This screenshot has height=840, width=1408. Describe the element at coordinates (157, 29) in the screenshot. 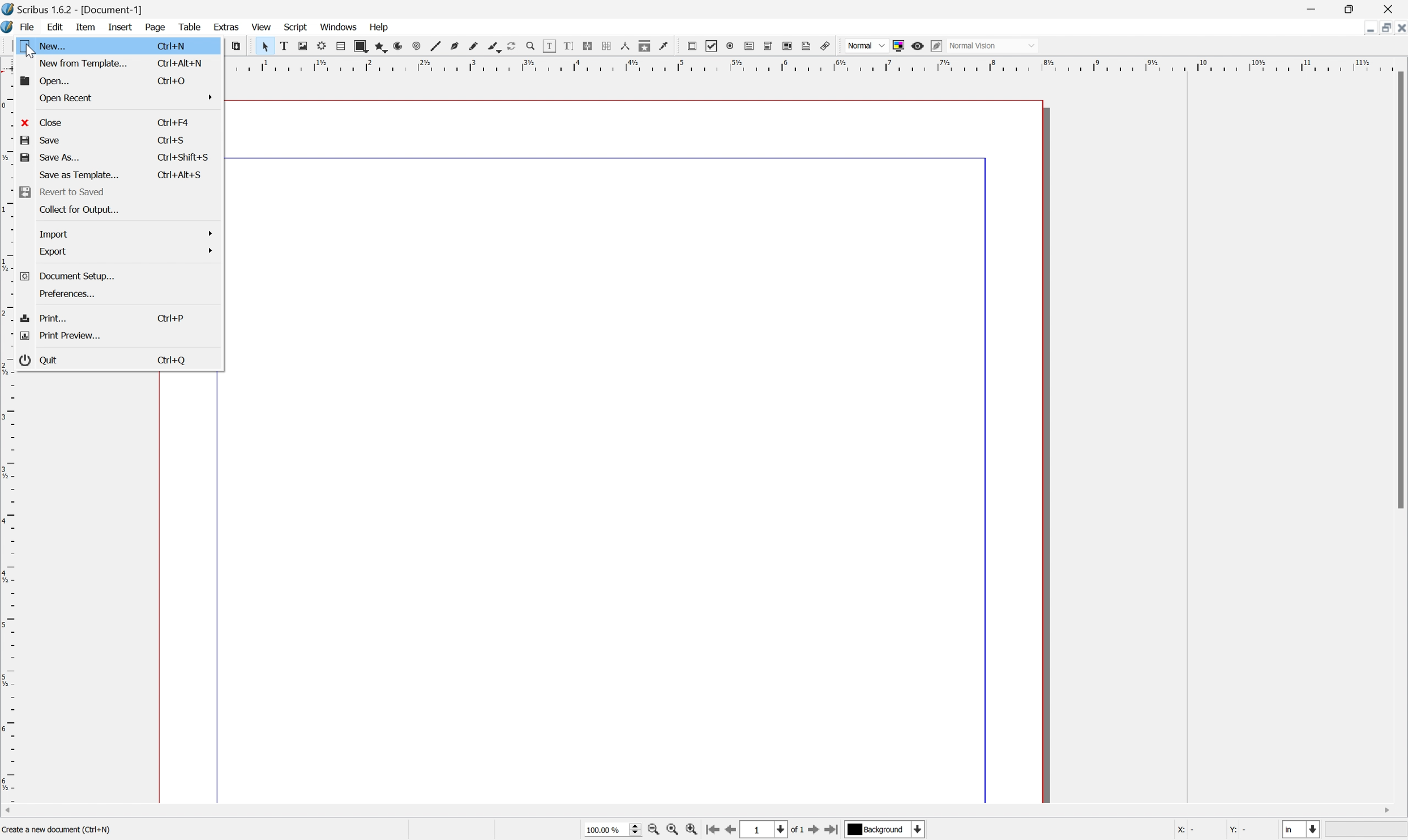

I see `Page` at that location.